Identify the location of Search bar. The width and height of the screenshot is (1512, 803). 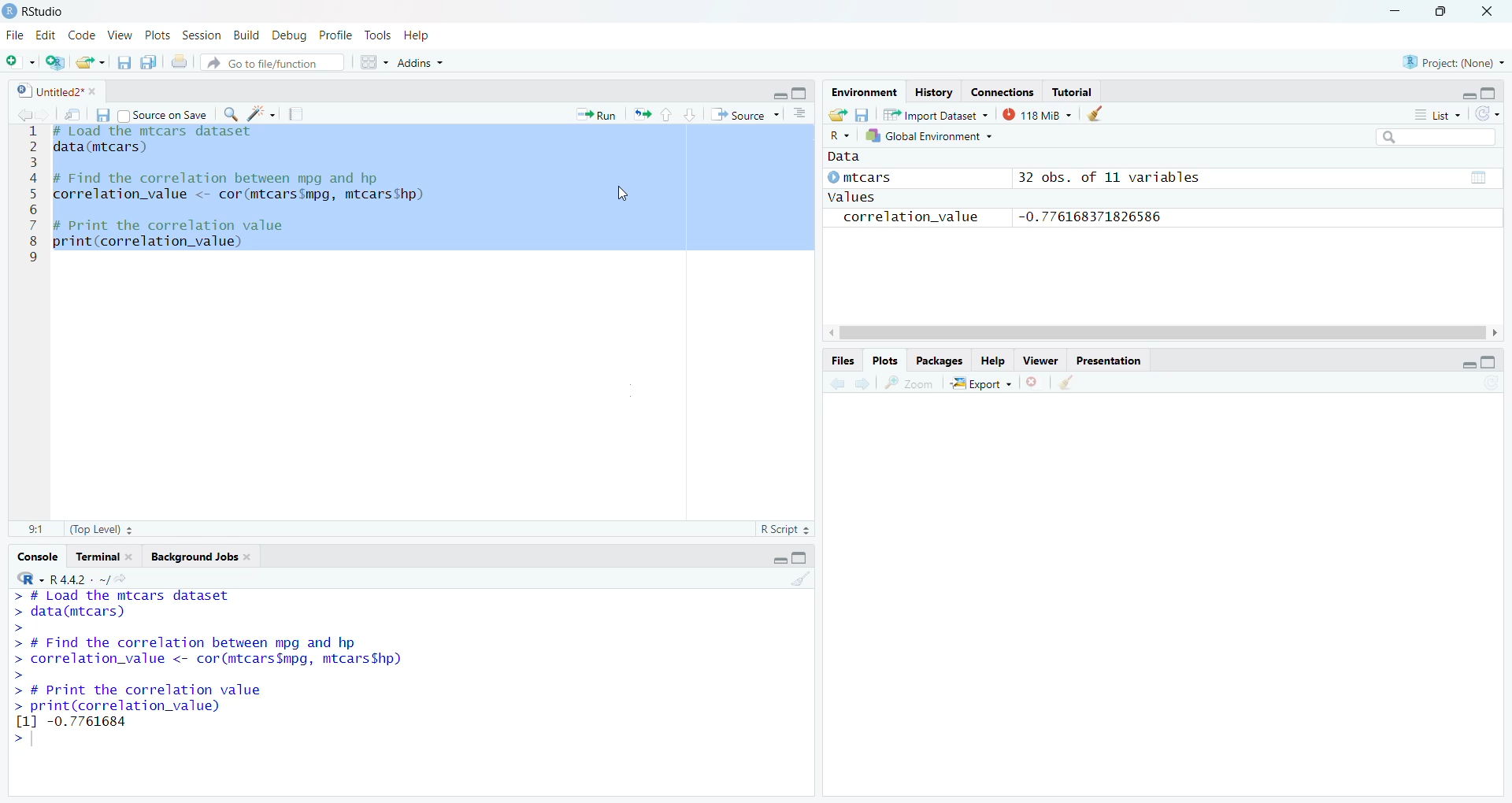
(1439, 136).